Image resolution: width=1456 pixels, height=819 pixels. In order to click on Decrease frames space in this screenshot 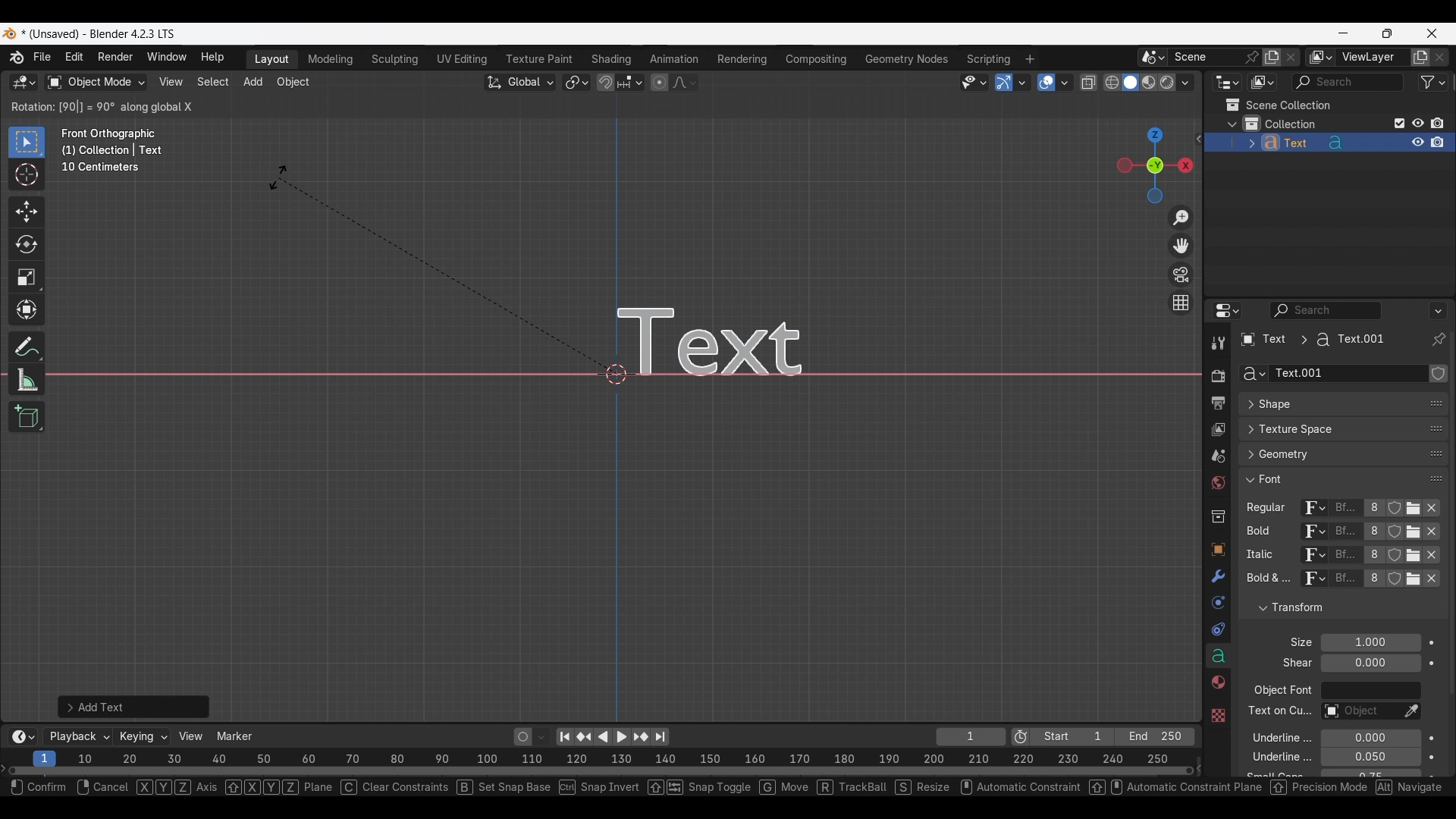, I will do `click(1200, 767)`.